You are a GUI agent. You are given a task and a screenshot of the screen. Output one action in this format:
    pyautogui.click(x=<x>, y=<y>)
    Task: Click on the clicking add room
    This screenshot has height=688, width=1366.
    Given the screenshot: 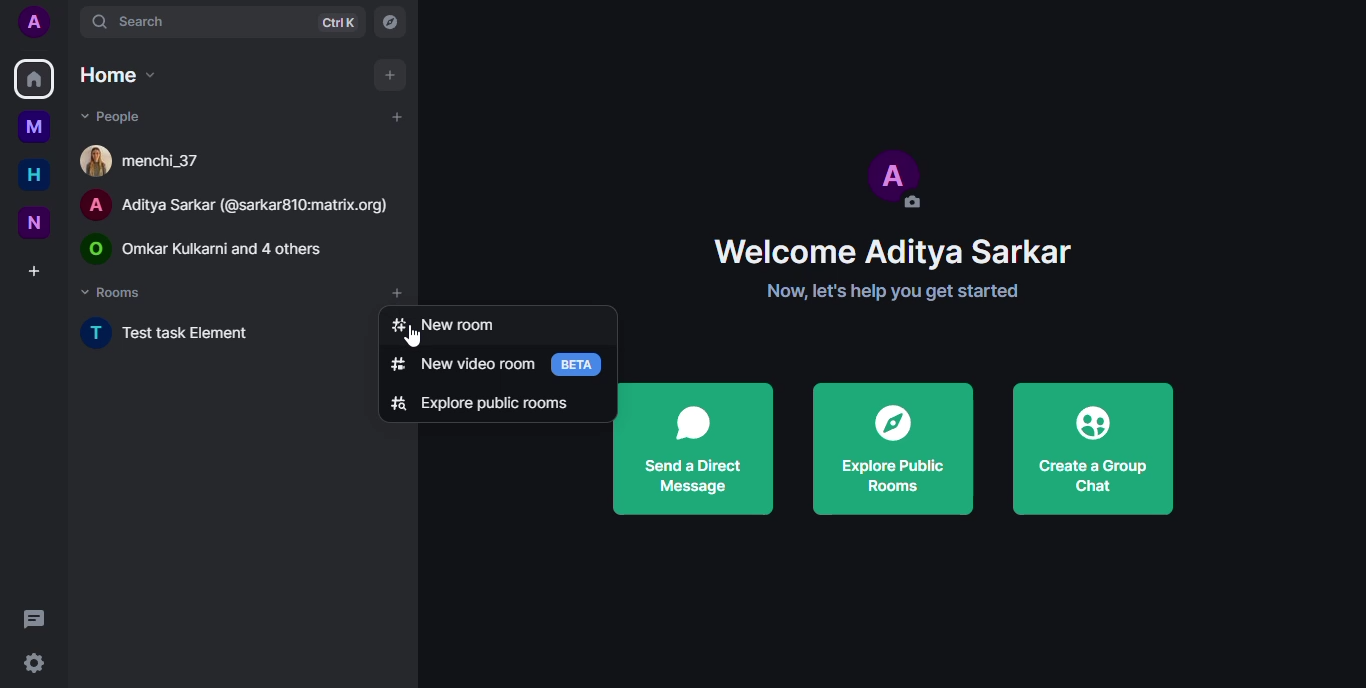 What is the action you would take?
    pyautogui.click(x=405, y=291)
    